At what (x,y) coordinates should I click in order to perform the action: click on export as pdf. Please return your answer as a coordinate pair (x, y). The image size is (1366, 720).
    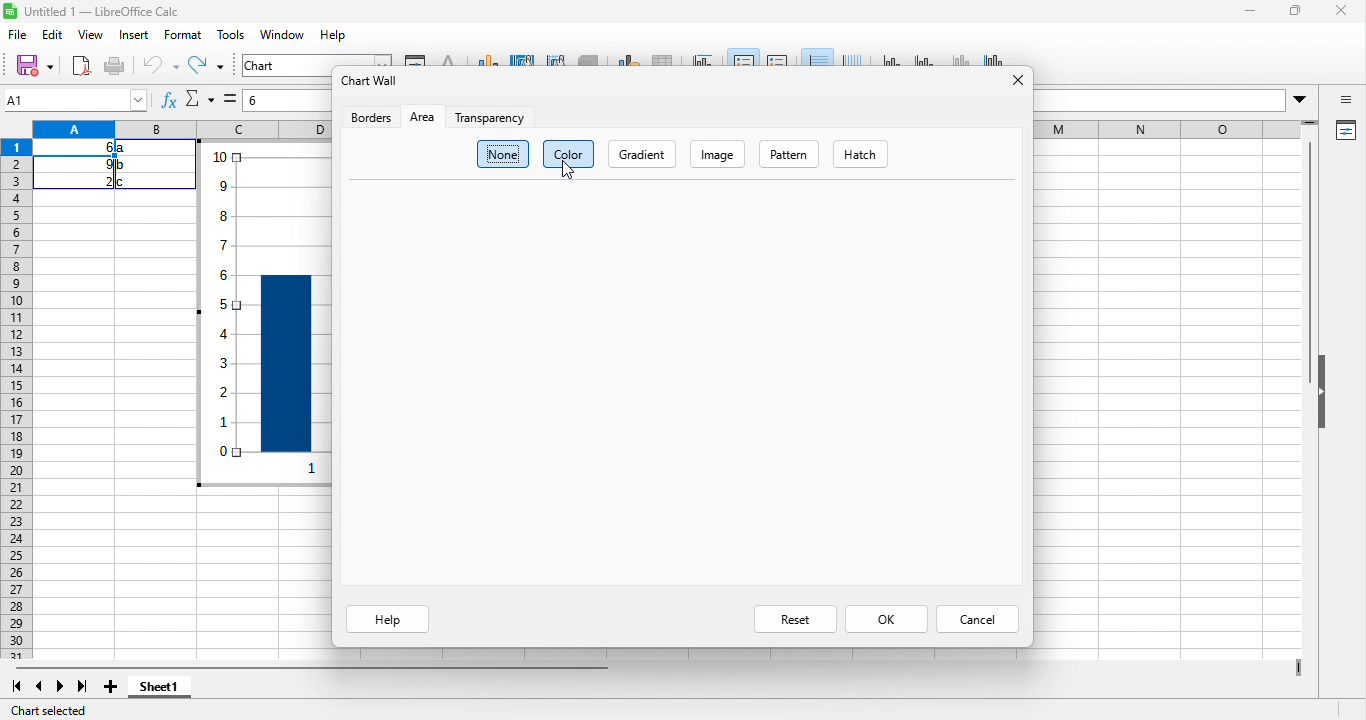
    Looking at the image, I should click on (81, 65).